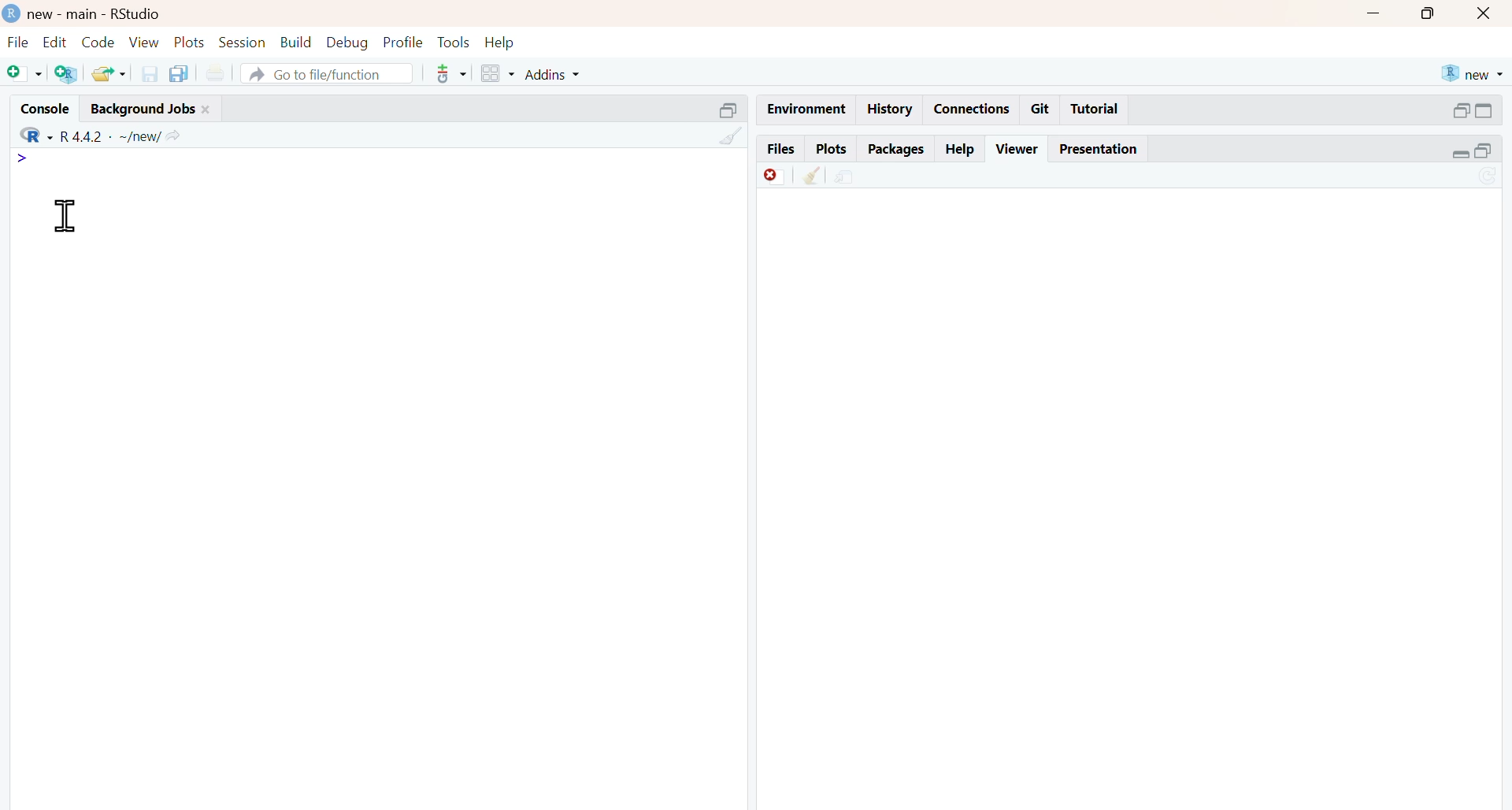  Describe the element at coordinates (1373, 12) in the screenshot. I see `Minimise` at that location.